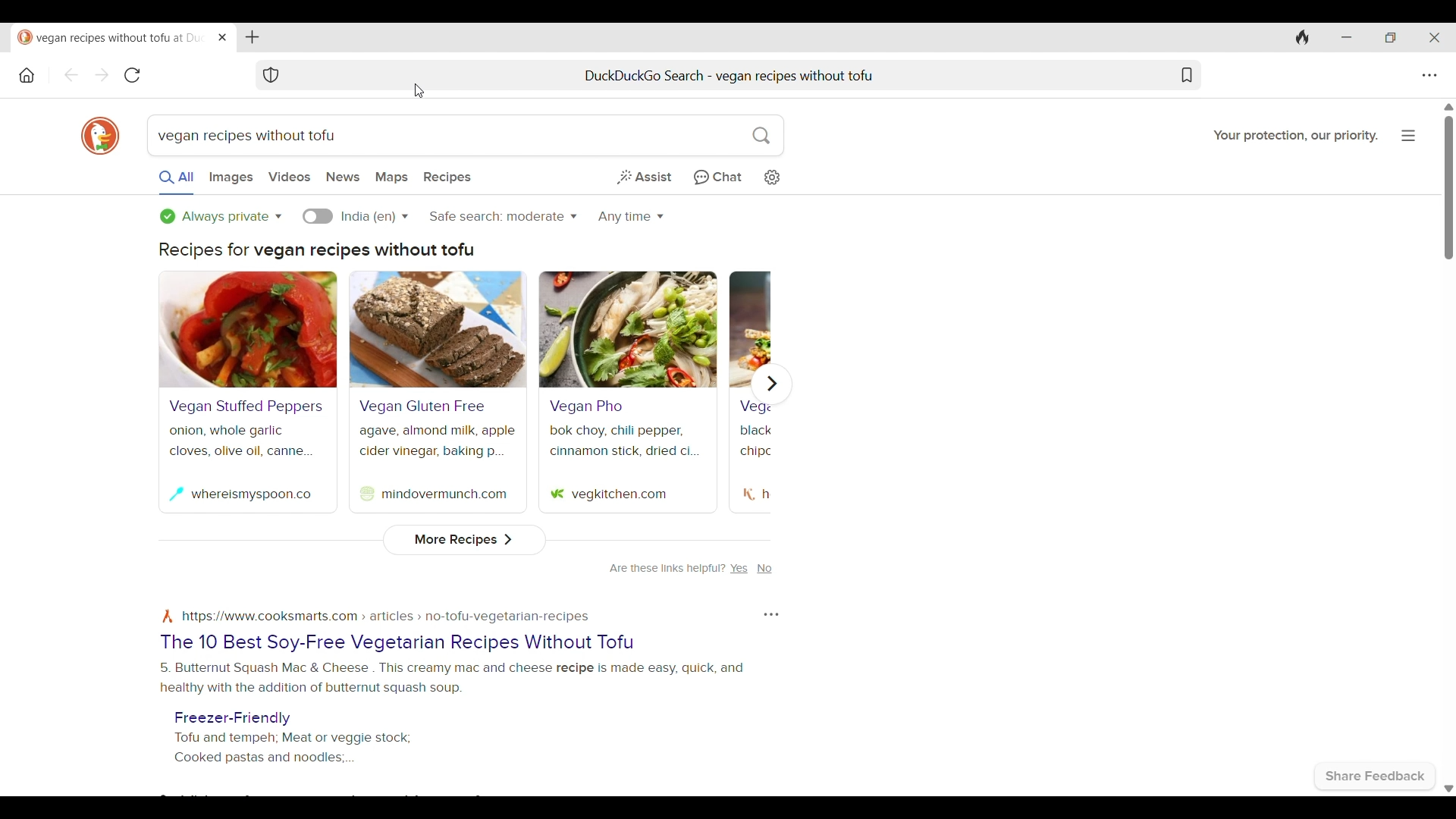 This screenshot has height=819, width=1456. What do you see at coordinates (466, 540) in the screenshot?
I see `More recipe options` at bounding box center [466, 540].